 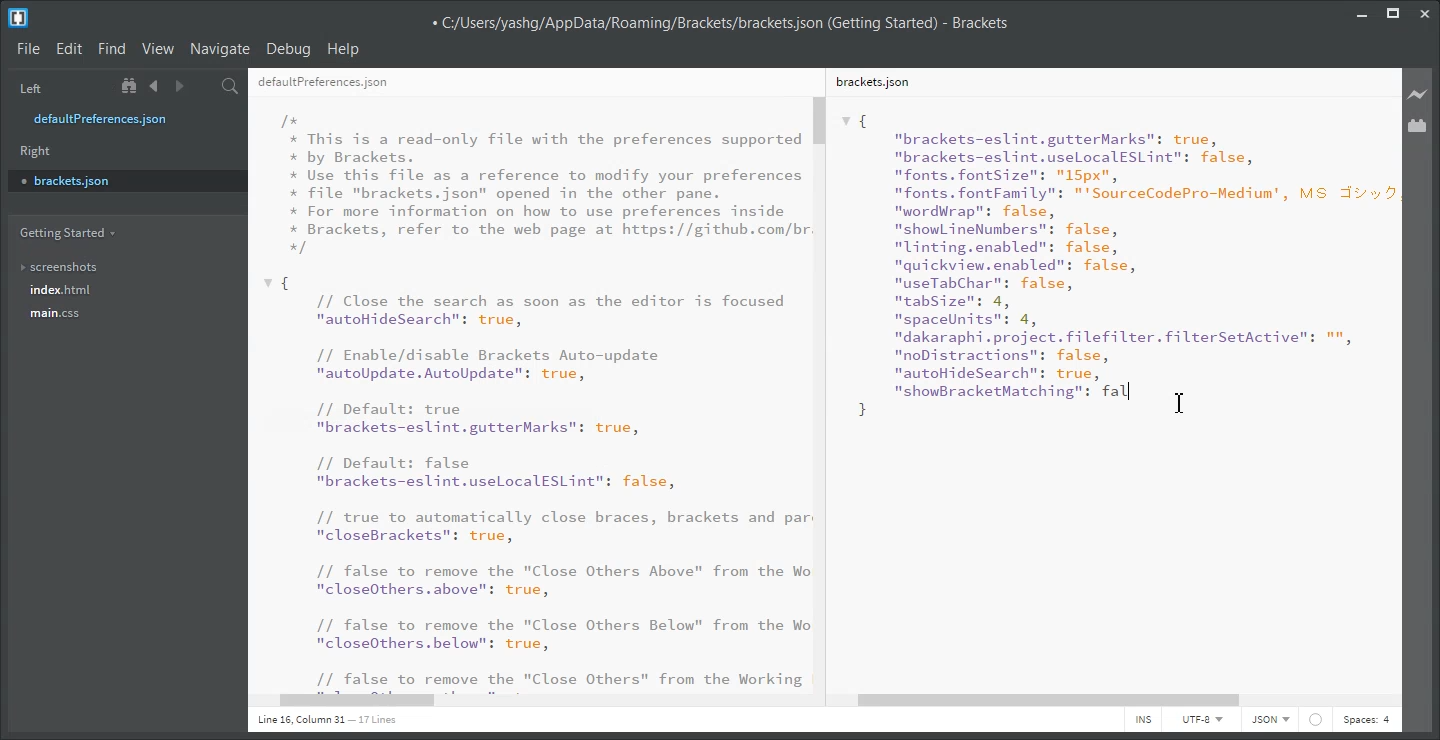 I want to click on Find, so click(x=112, y=49).